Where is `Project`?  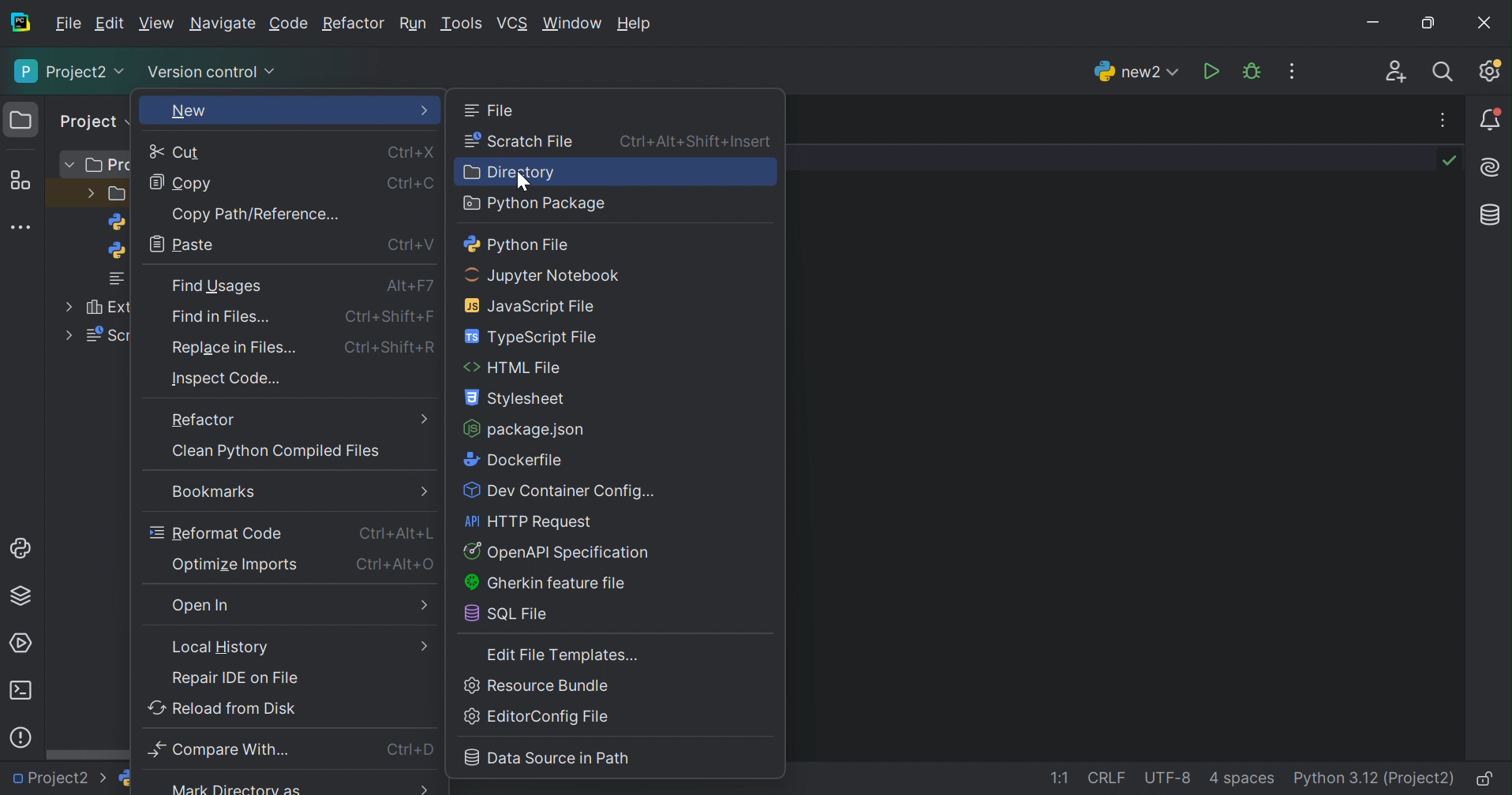 Project is located at coordinates (91, 121).